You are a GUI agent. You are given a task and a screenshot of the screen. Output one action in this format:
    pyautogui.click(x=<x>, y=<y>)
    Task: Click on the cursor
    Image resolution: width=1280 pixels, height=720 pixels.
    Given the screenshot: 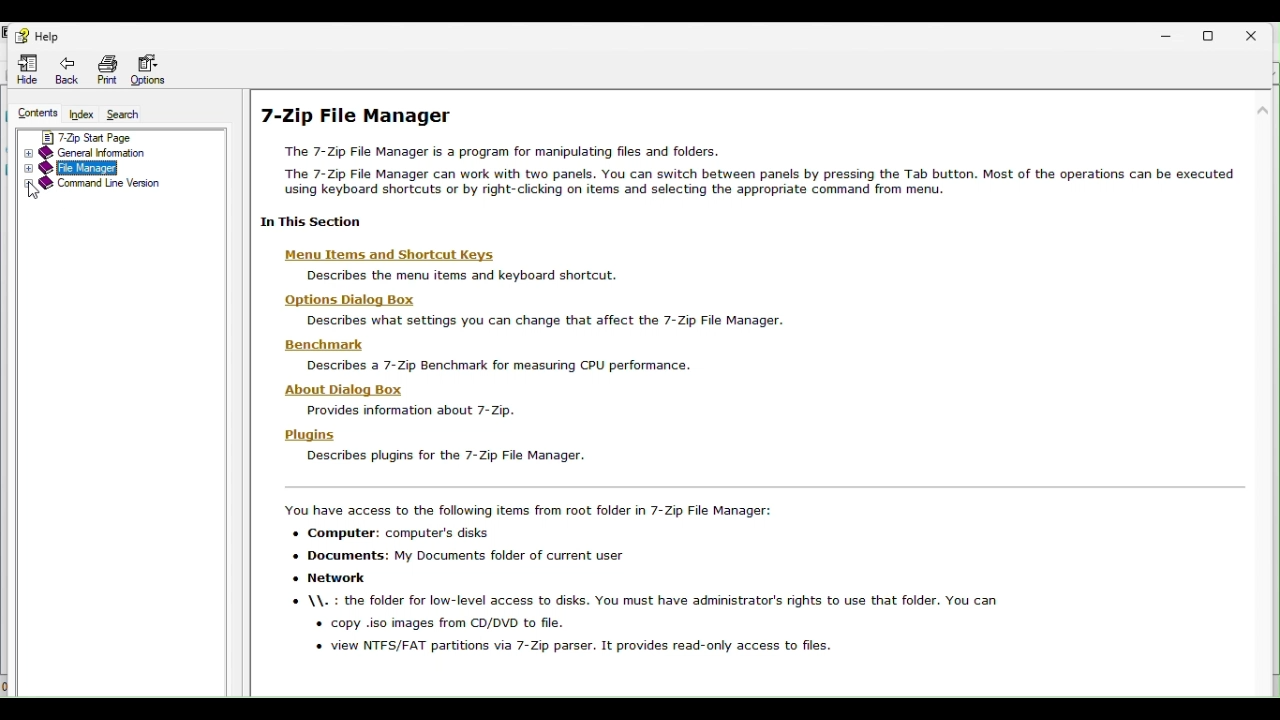 What is the action you would take?
    pyautogui.click(x=36, y=193)
    